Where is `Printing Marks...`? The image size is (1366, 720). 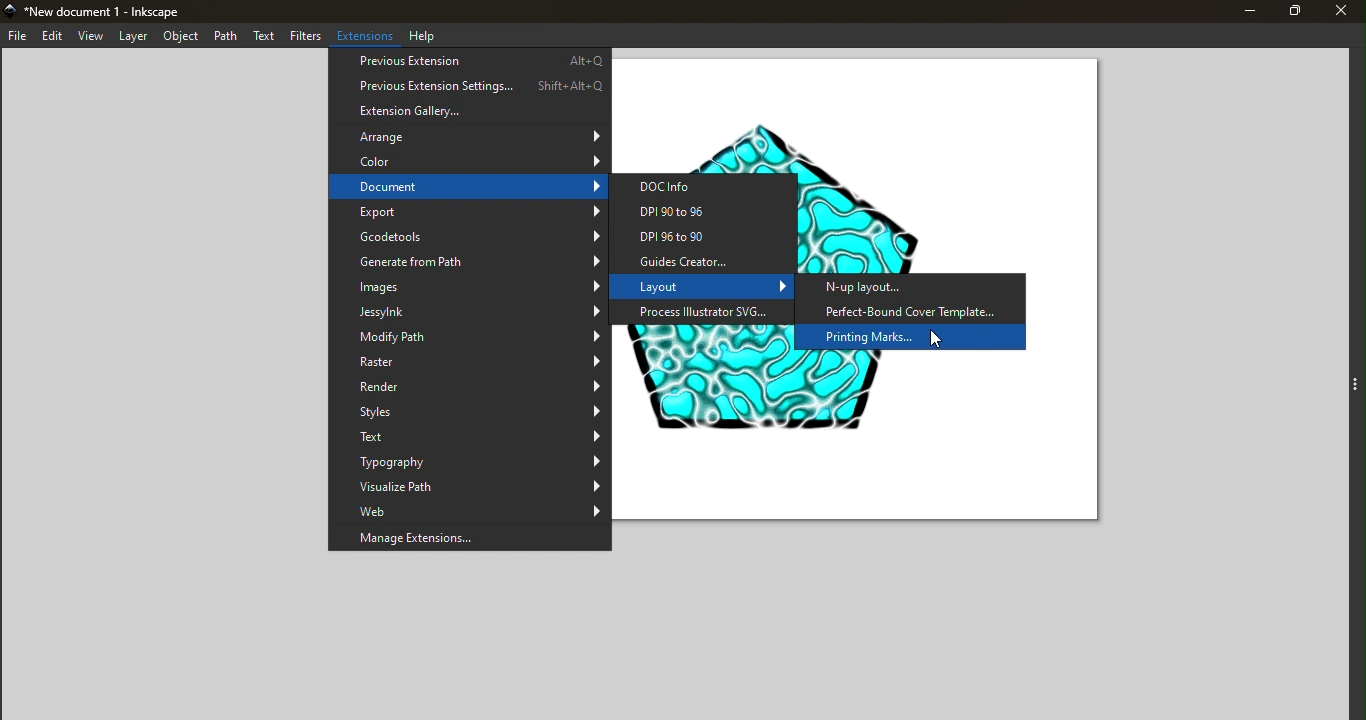
Printing Marks... is located at coordinates (884, 336).